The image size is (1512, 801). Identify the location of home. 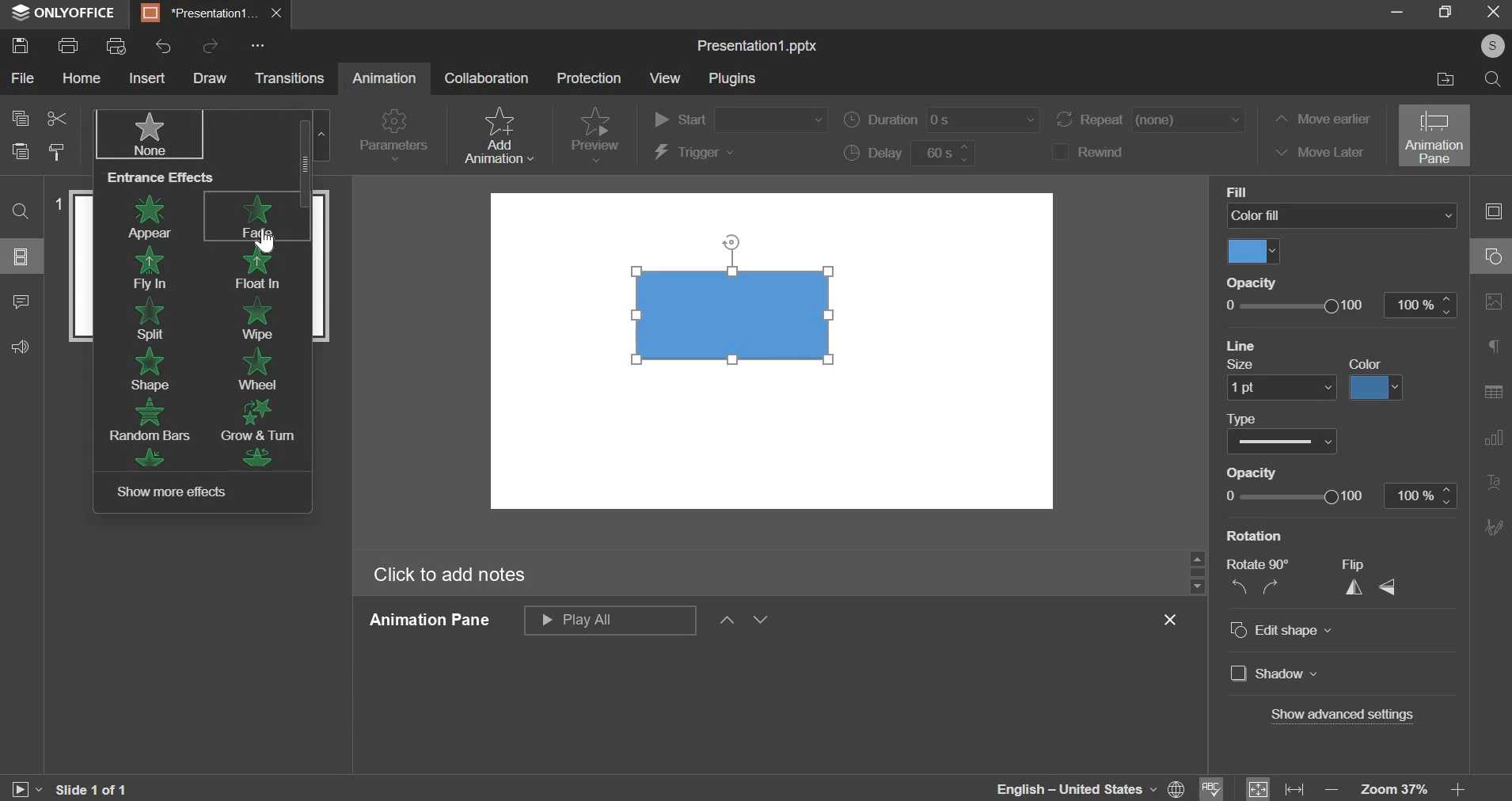
(78, 80).